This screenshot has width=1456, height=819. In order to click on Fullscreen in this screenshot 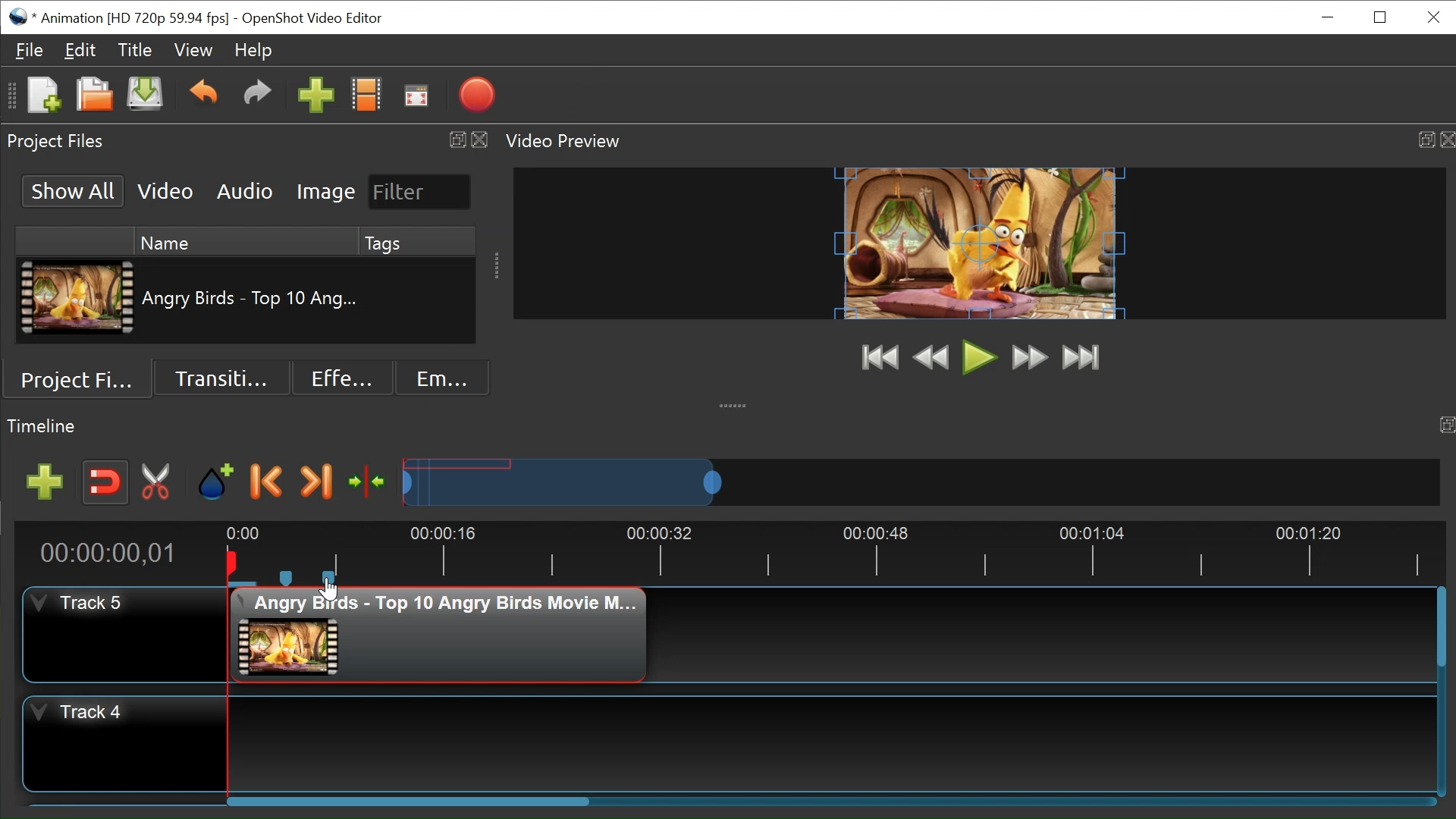, I will do `click(416, 99)`.